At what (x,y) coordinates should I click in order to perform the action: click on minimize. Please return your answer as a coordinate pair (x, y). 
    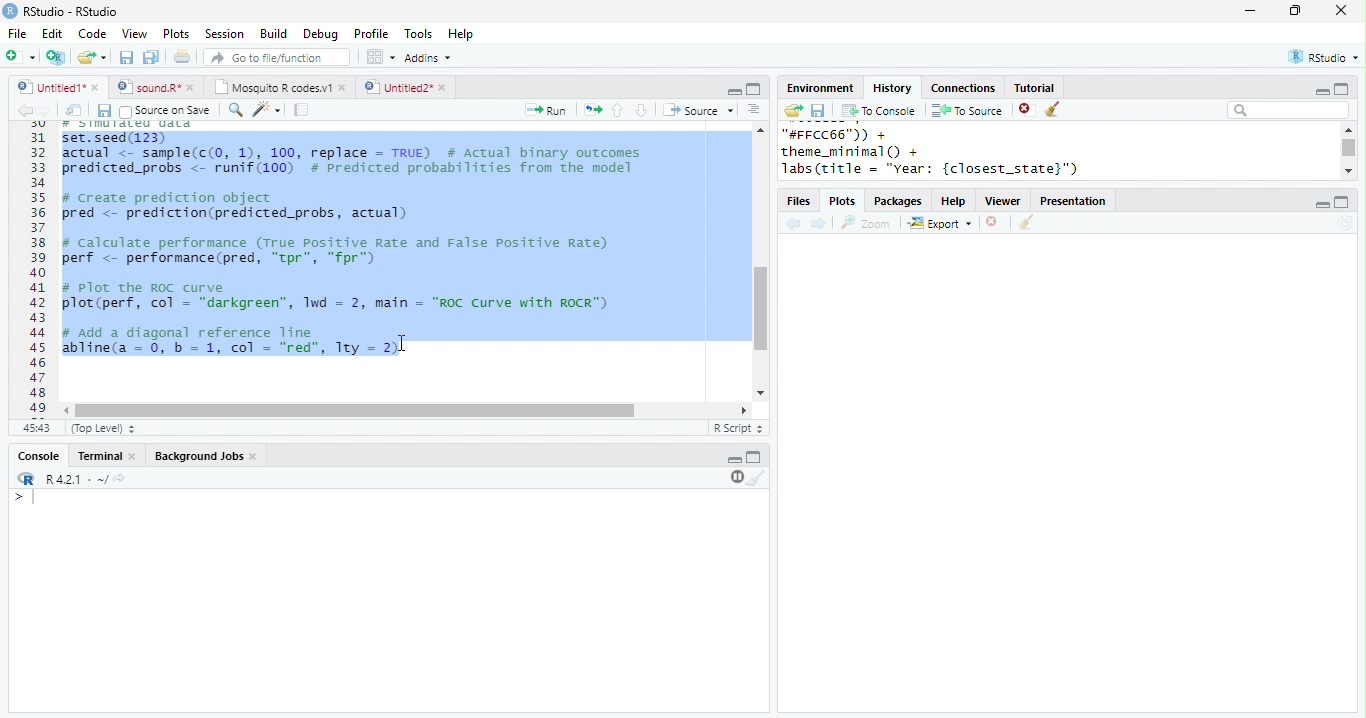
    Looking at the image, I should click on (1321, 205).